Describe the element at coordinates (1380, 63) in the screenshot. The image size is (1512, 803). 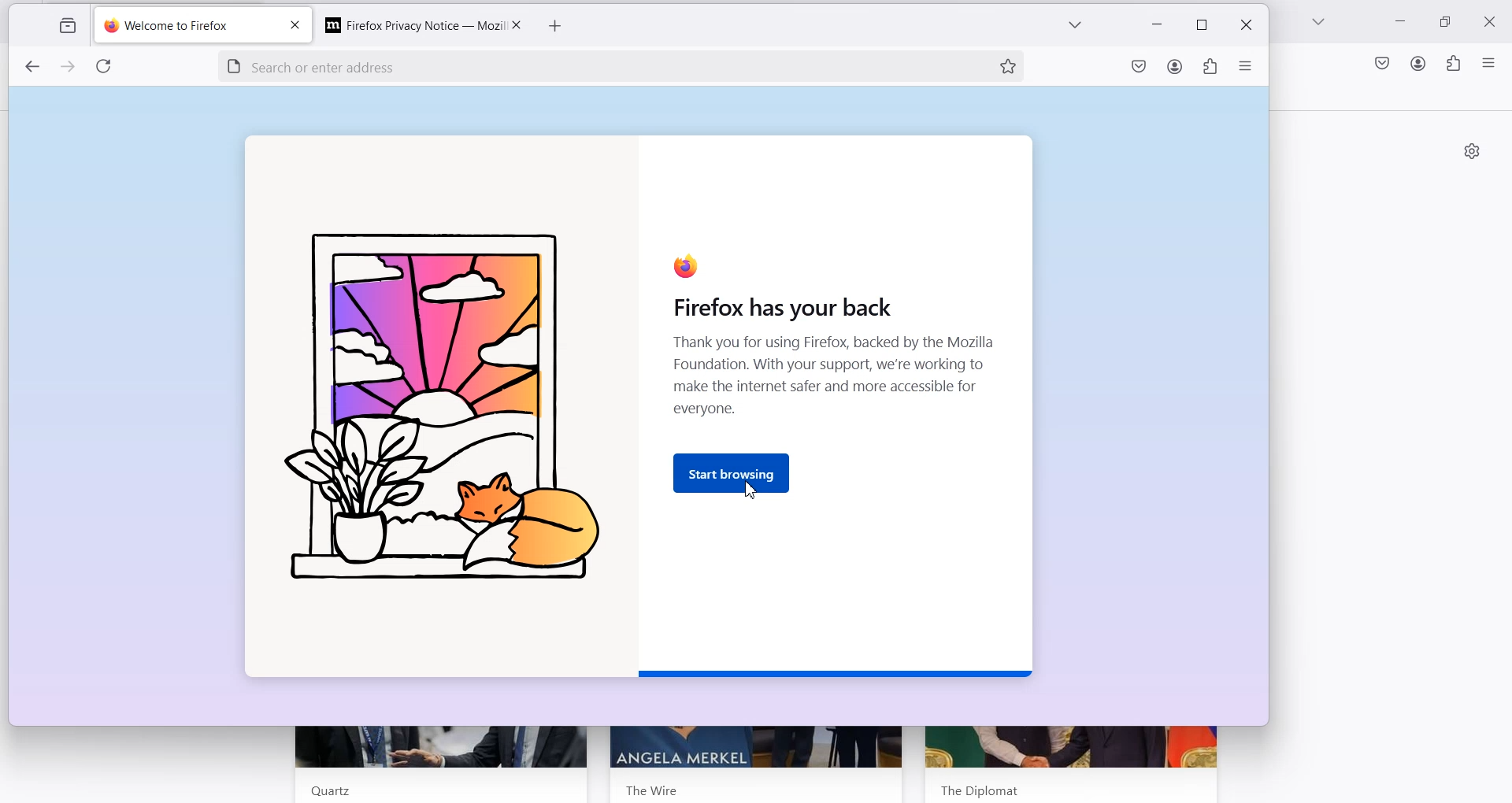
I see `Save to Pocket` at that location.